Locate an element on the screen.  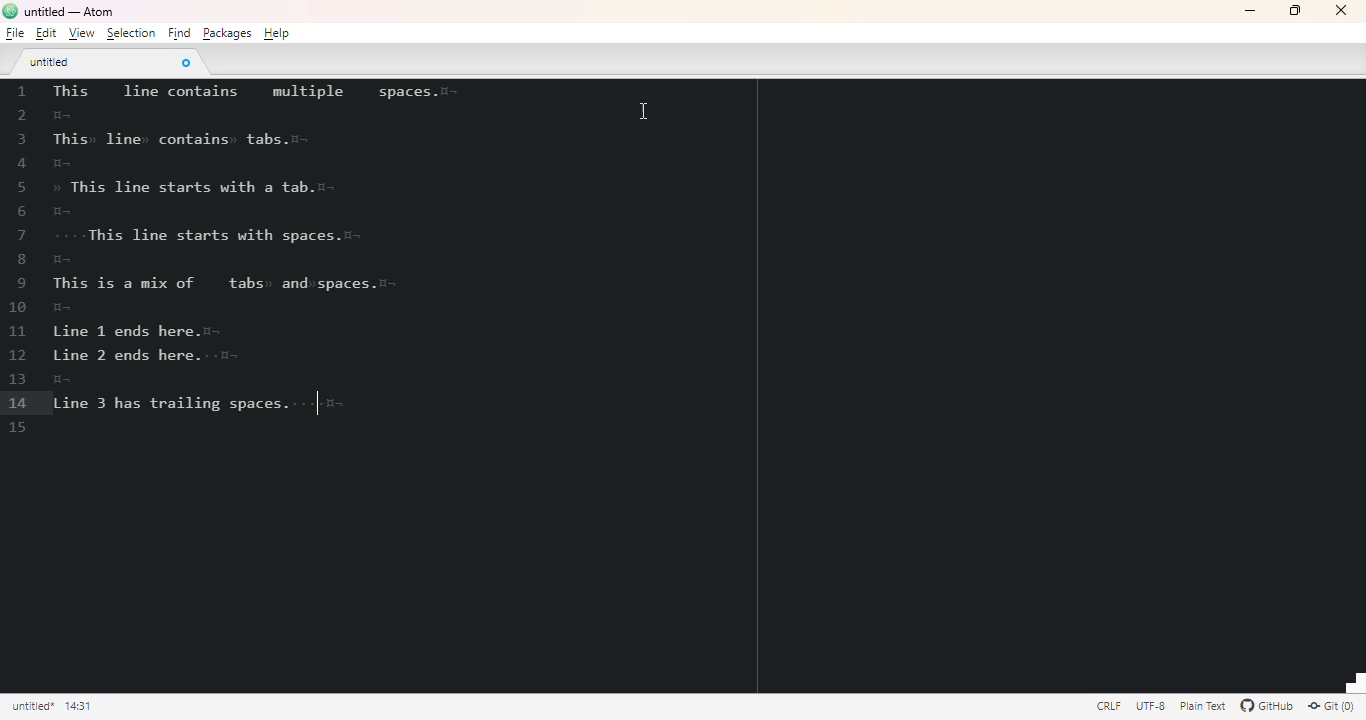
invisible characters is located at coordinates (64, 115).